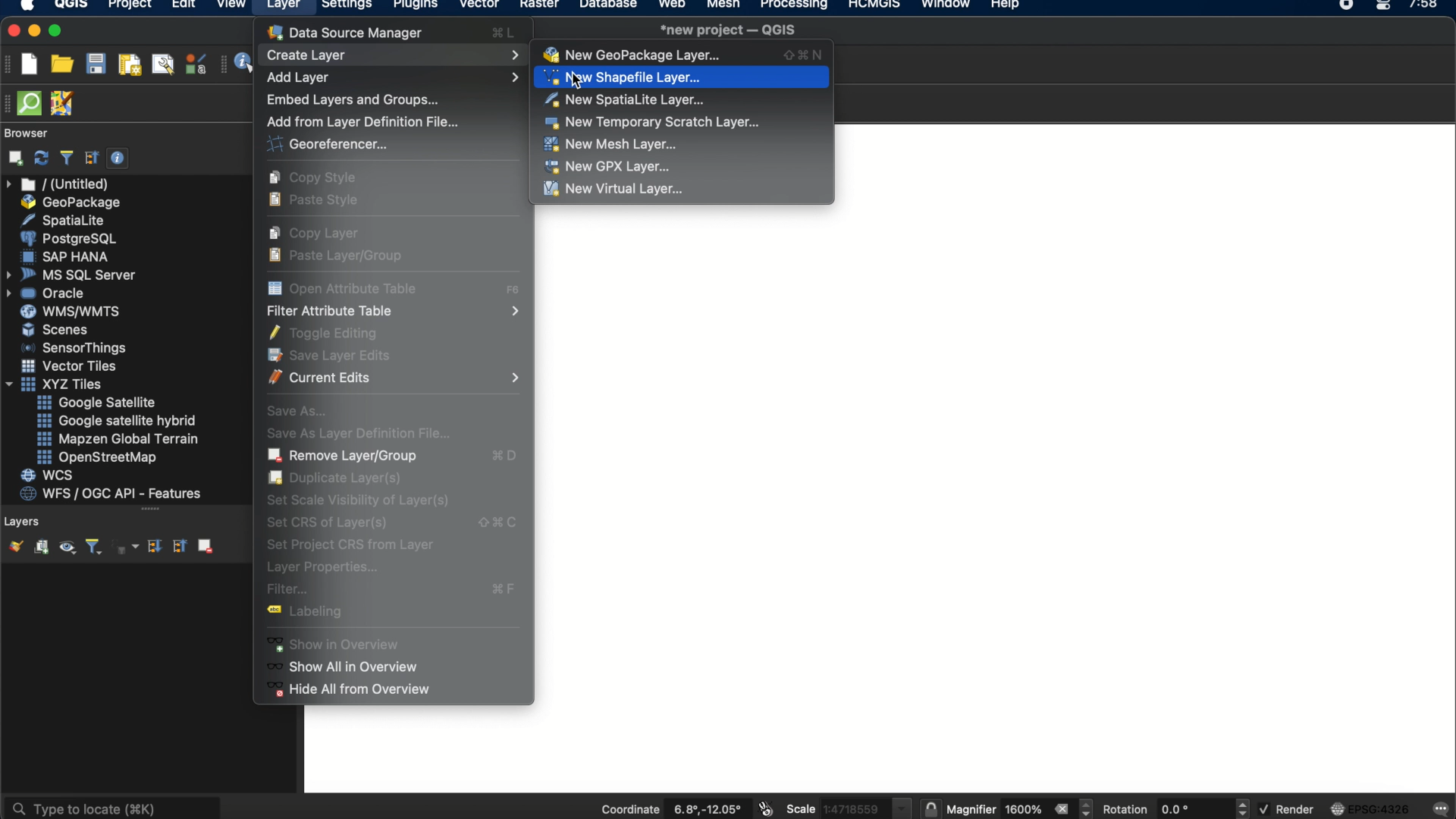 This screenshot has height=819, width=1456. Describe the element at coordinates (326, 143) in the screenshot. I see `georeferencer` at that location.